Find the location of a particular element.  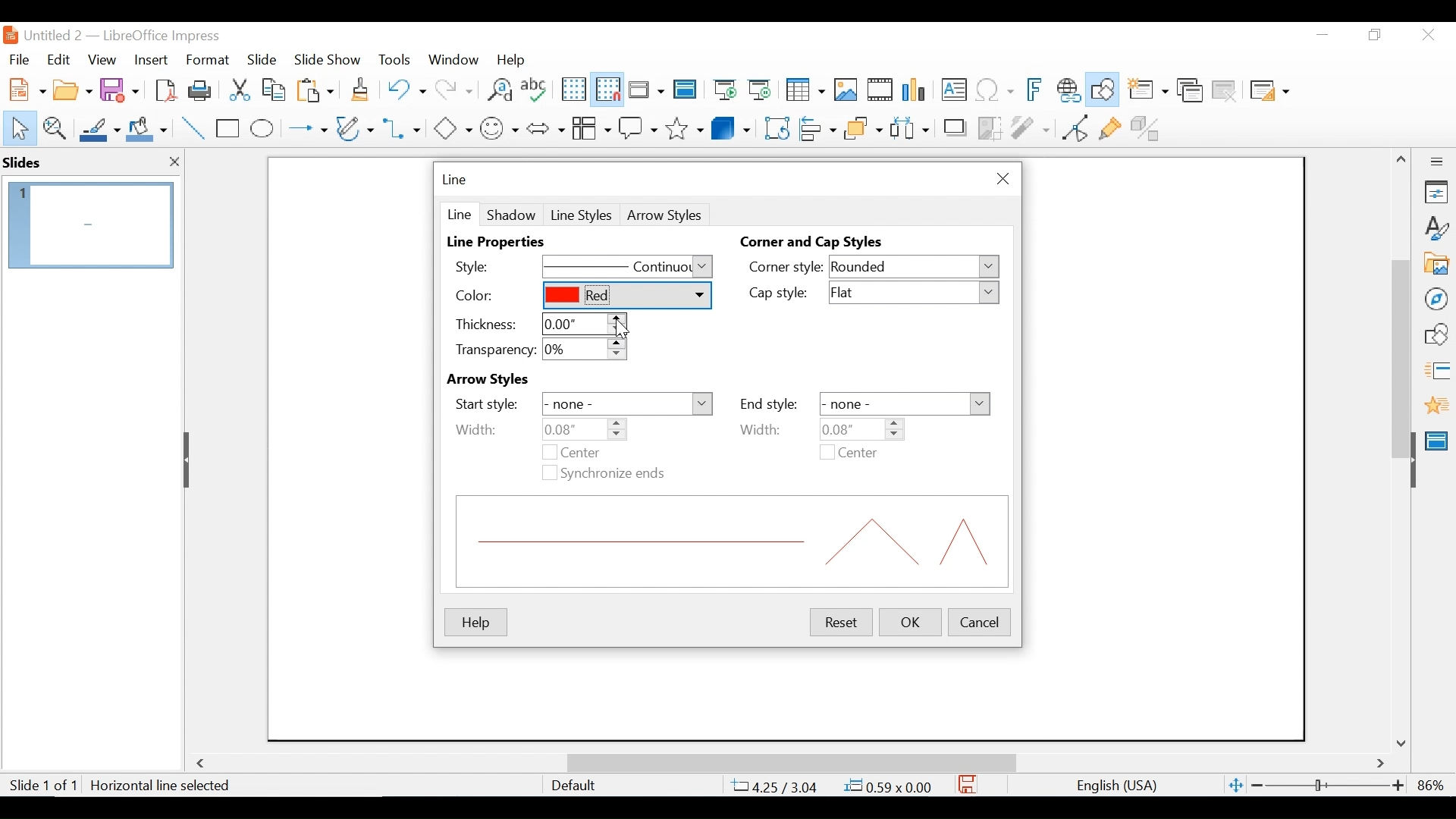

Display Grid is located at coordinates (573, 89).